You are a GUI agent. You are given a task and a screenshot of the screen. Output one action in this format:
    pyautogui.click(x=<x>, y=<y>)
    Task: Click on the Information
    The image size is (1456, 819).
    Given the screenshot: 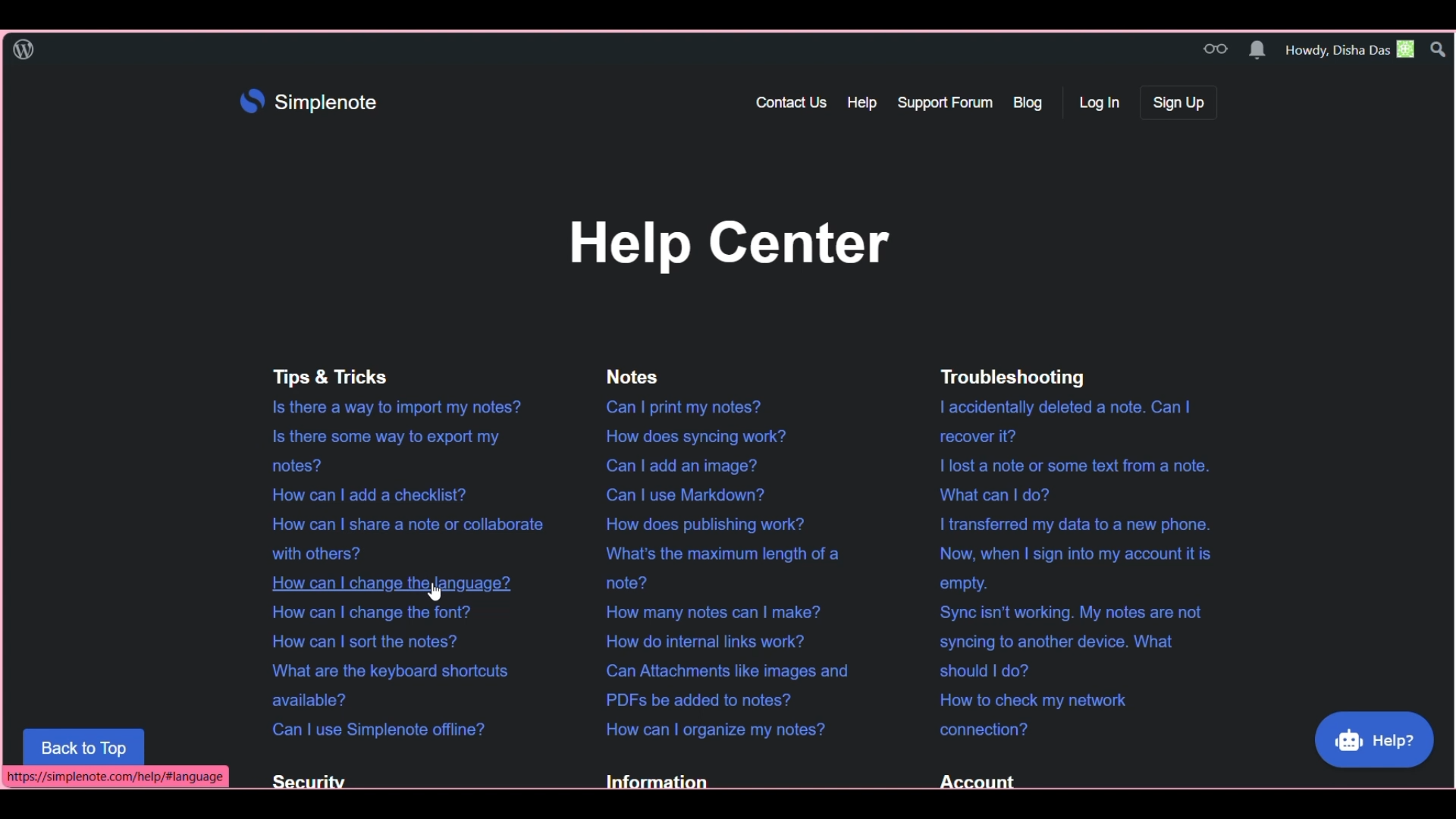 What is the action you would take?
    pyautogui.click(x=654, y=778)
    